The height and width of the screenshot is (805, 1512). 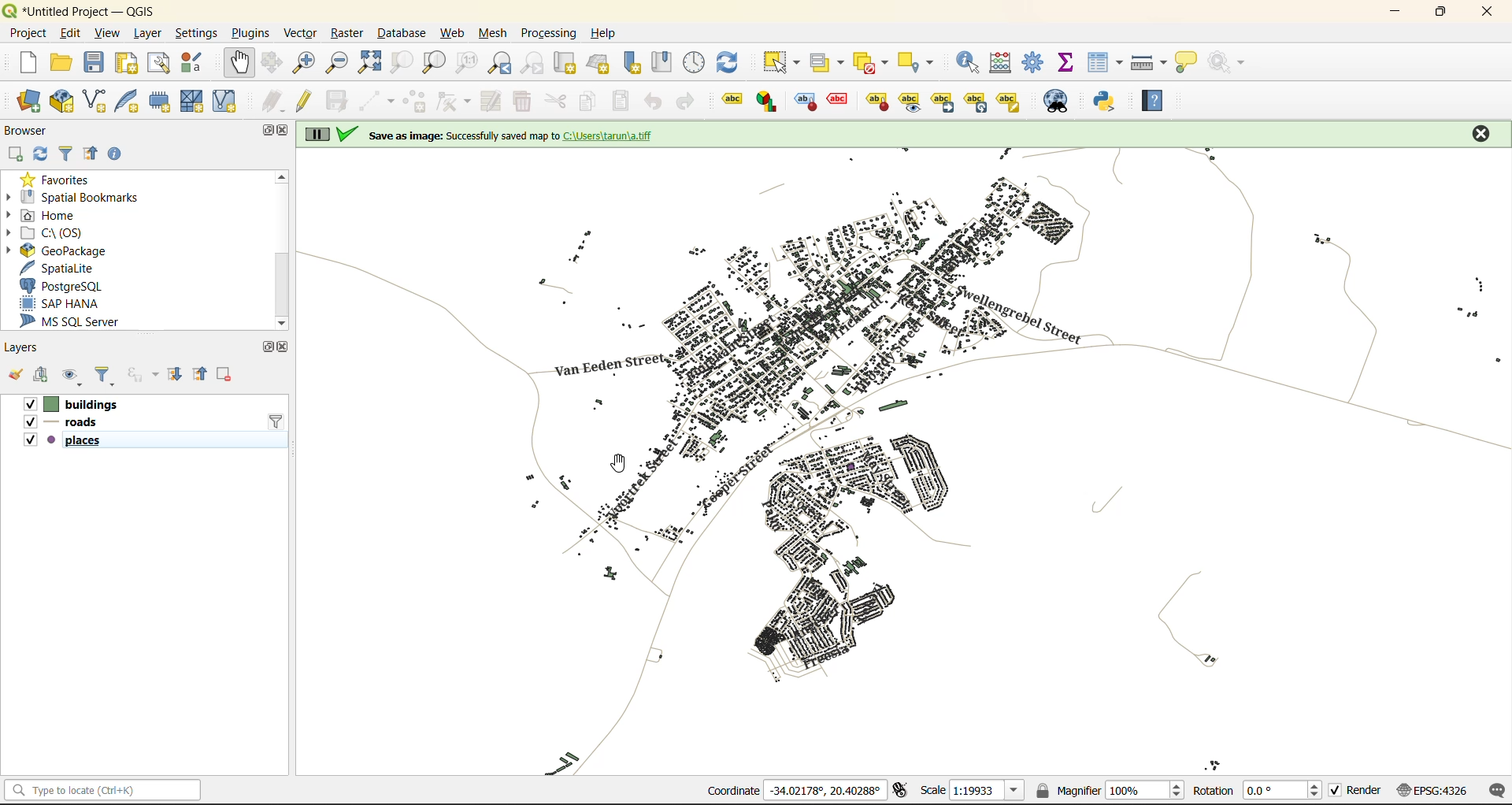 I want to click on calculator, so click(x=1003, y=63).